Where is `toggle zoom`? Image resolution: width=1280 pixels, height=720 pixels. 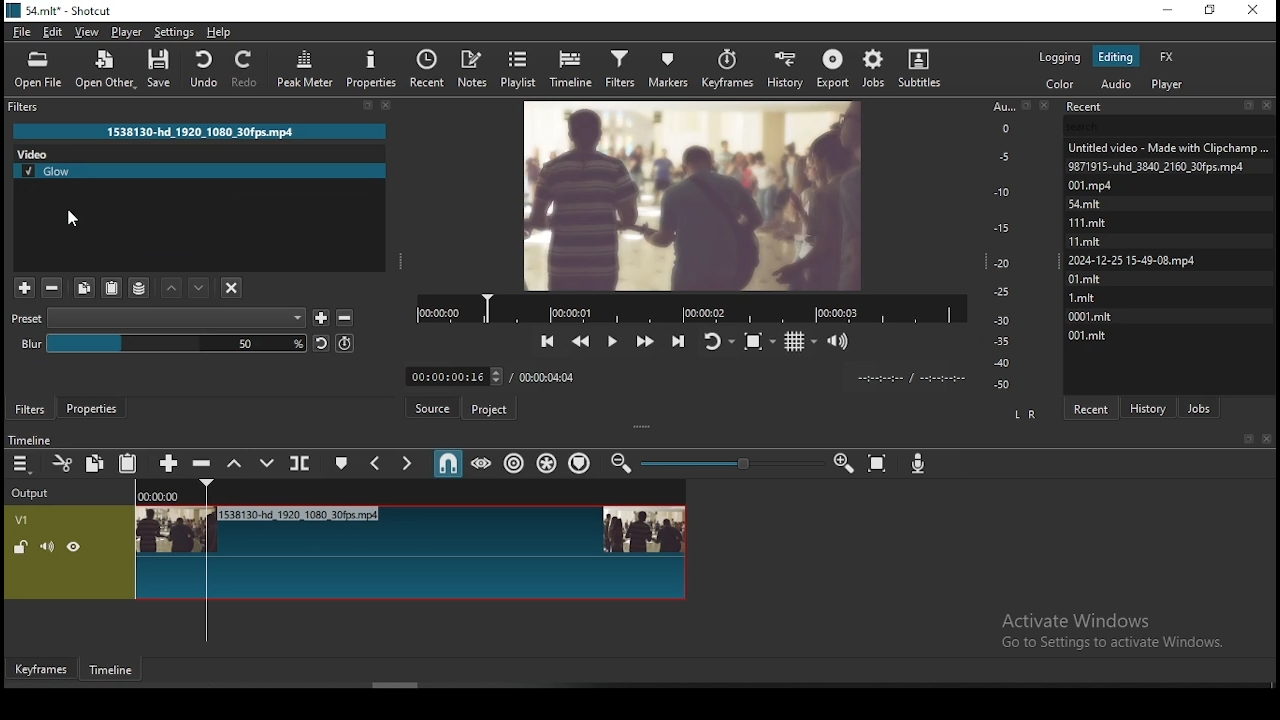 toggle zoom is located at coordinates (761, 339).